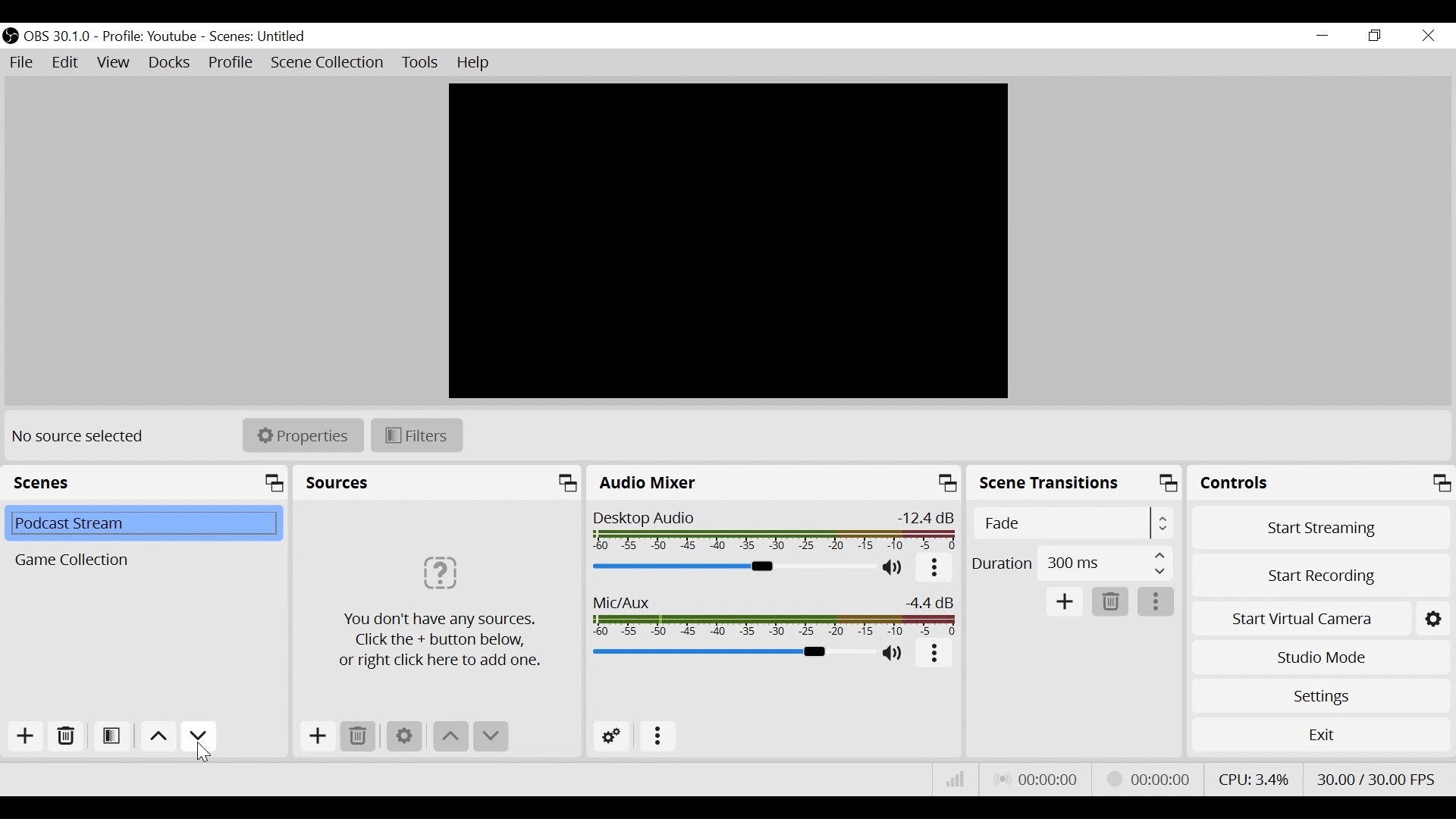 The image size is (1456, 819). What do you see at coordinates (1145, 778) in the screenshot?
I see `Streaming Status` at bounding box center [1145, 778].